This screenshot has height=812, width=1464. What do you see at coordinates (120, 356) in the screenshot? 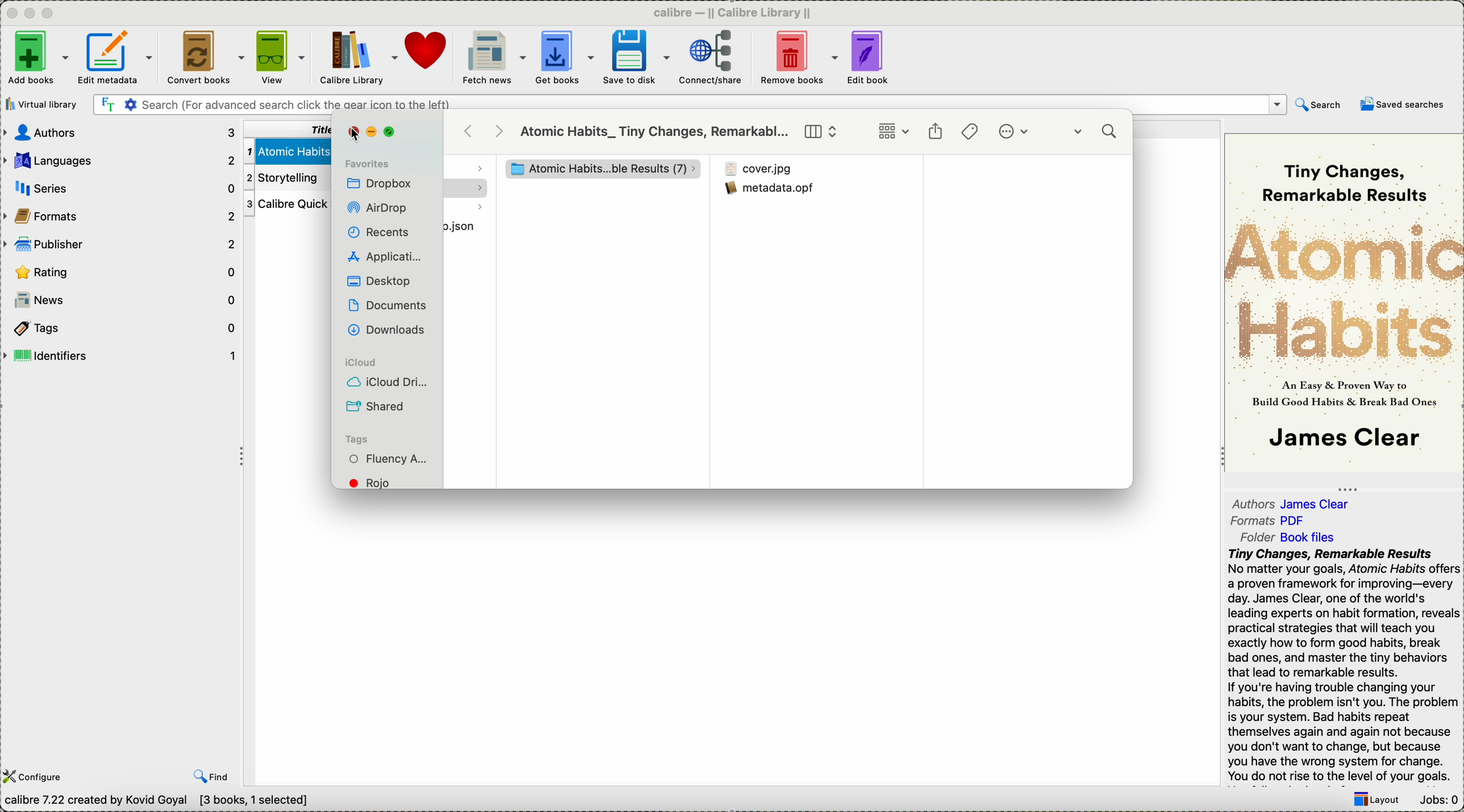
I see `identifiers` at bounding box center [120, 356].